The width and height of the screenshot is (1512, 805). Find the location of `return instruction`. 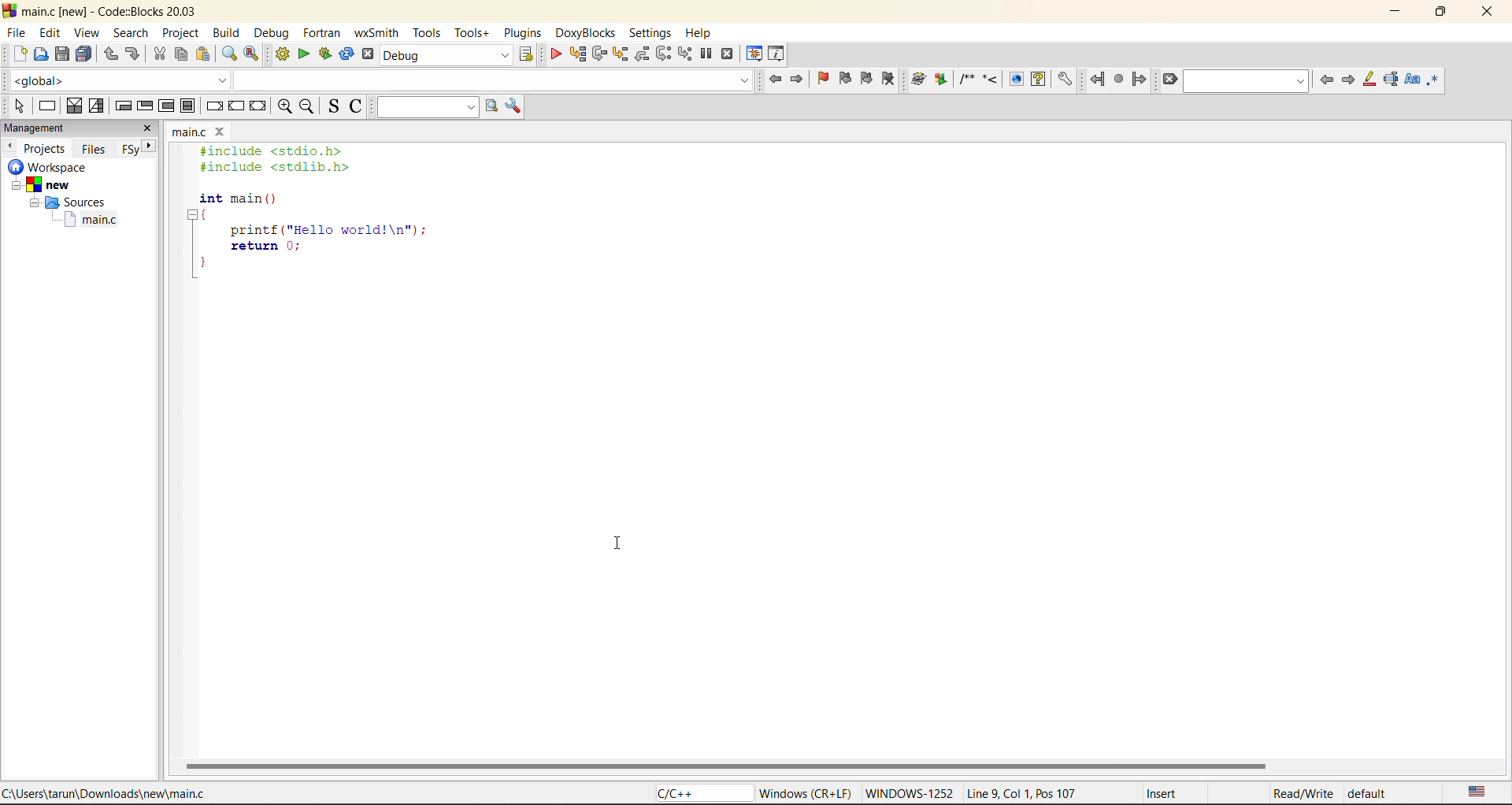

return instruction is located at coordinates (259, 108).